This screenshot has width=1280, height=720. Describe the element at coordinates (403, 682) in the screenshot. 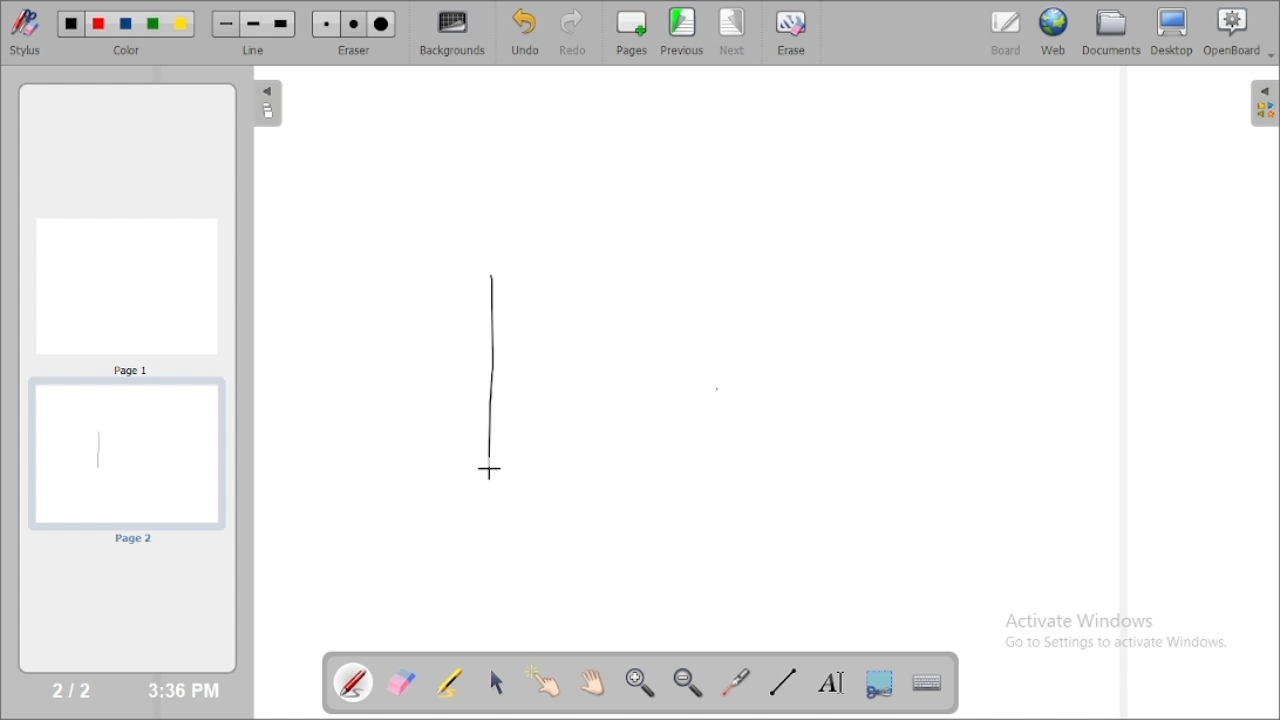

I see `erase annotation` at that location.